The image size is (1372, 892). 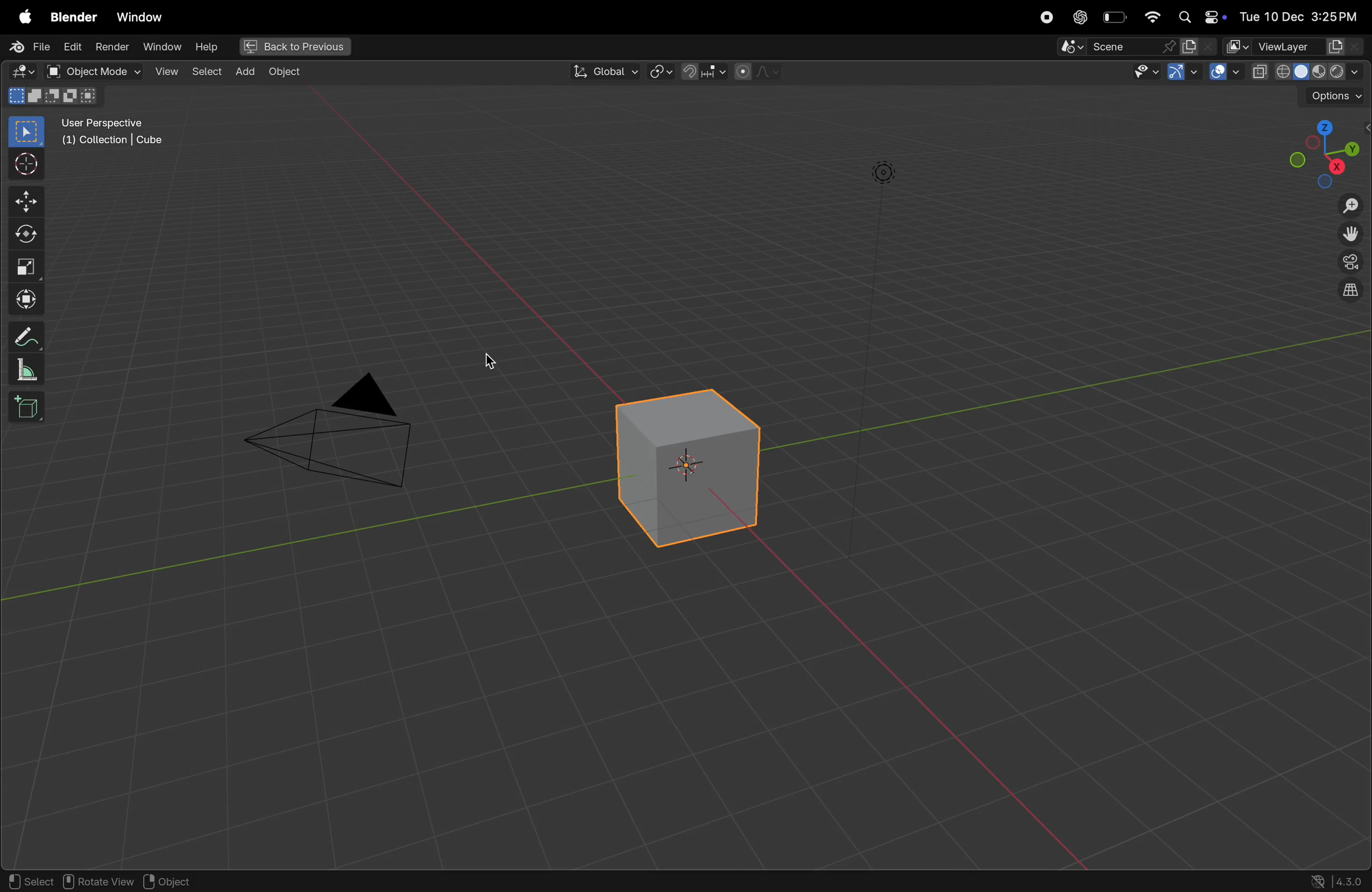 What do you see at coordinates (24, 237) in the screenshot?
I see `transform` at bounding box center [24, 237].